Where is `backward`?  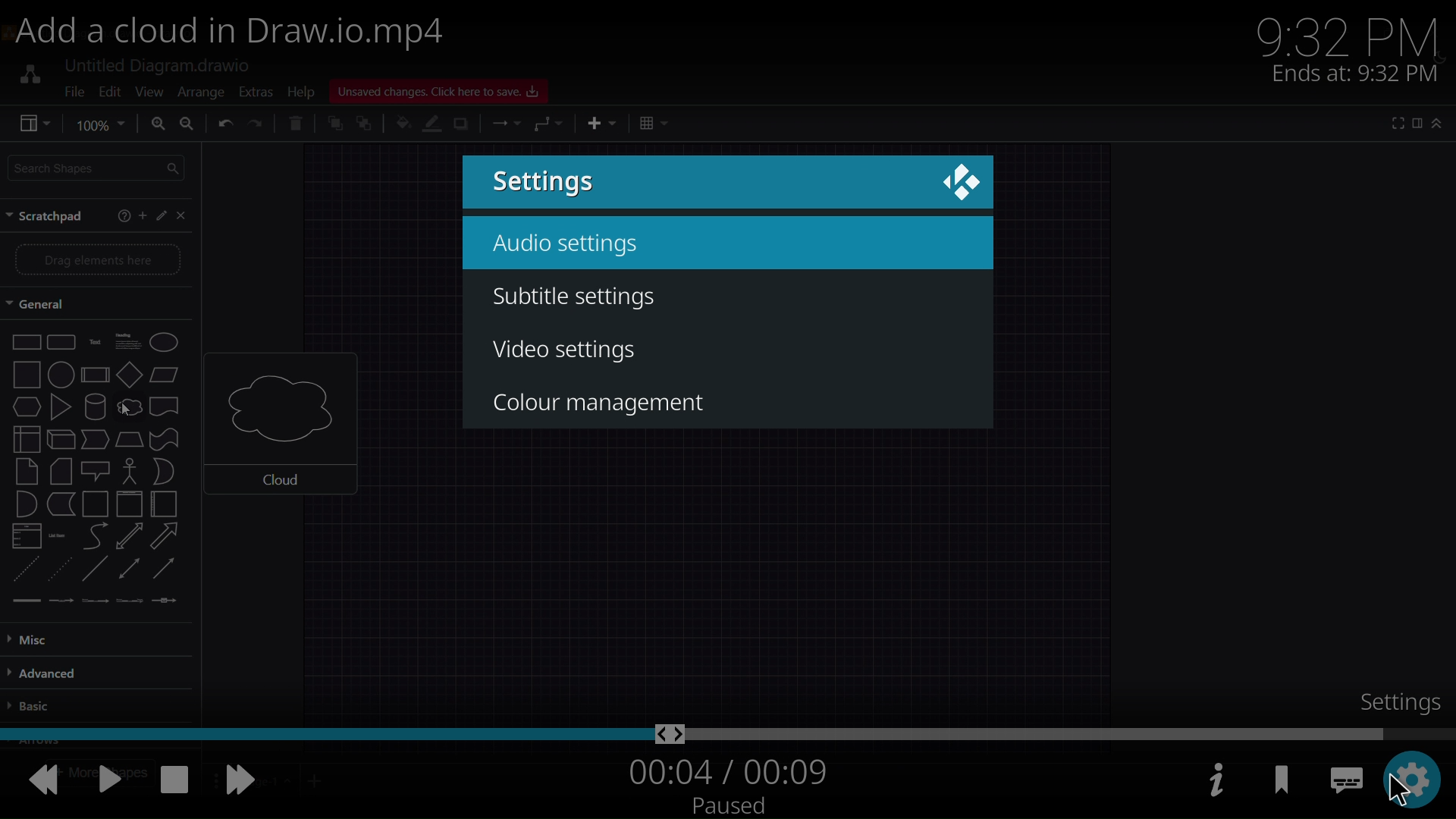 backward is located at coordinates (42, 780).